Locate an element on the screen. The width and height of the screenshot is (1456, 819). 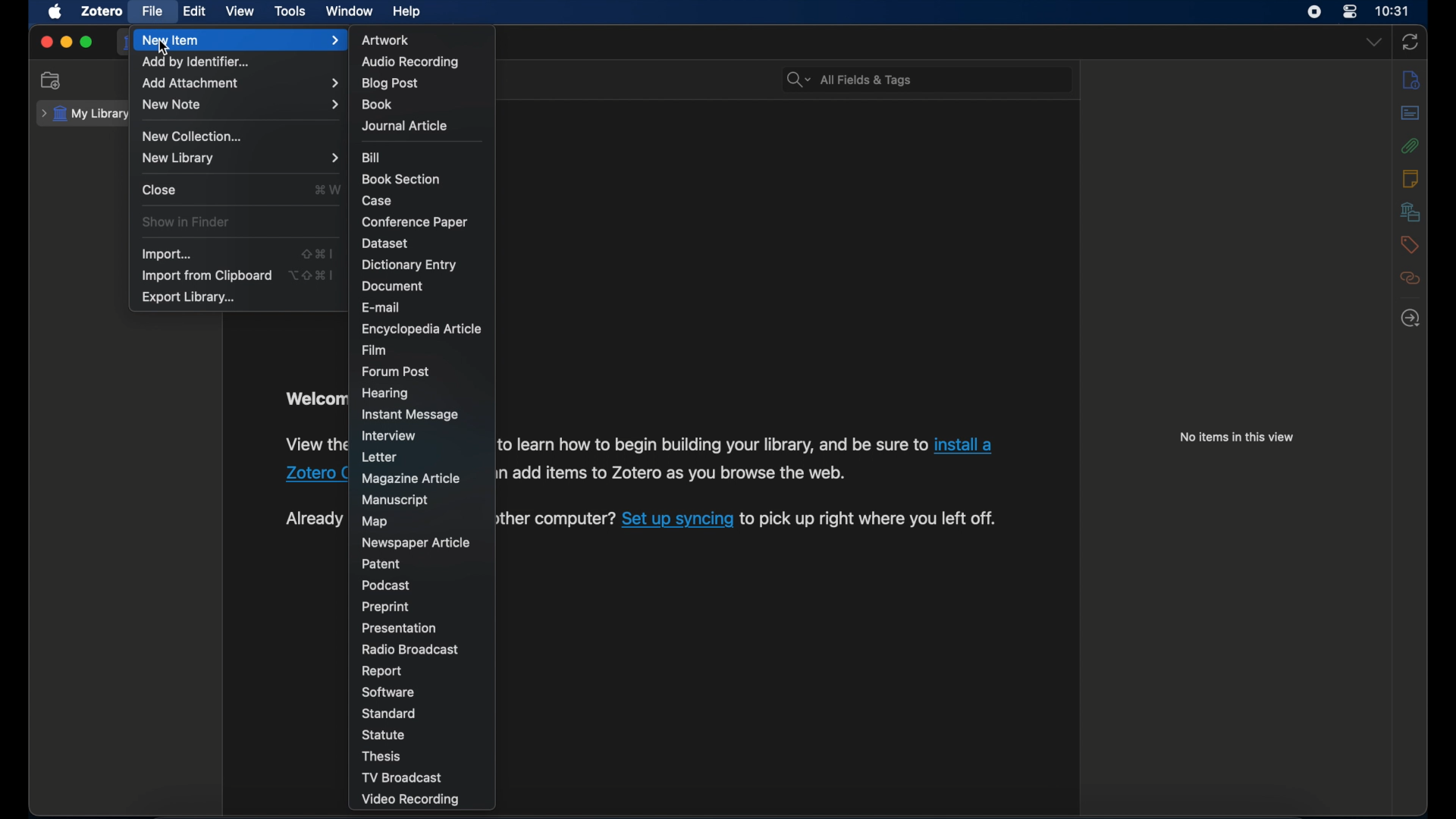
shortcut is located at coordinates (310, 275).